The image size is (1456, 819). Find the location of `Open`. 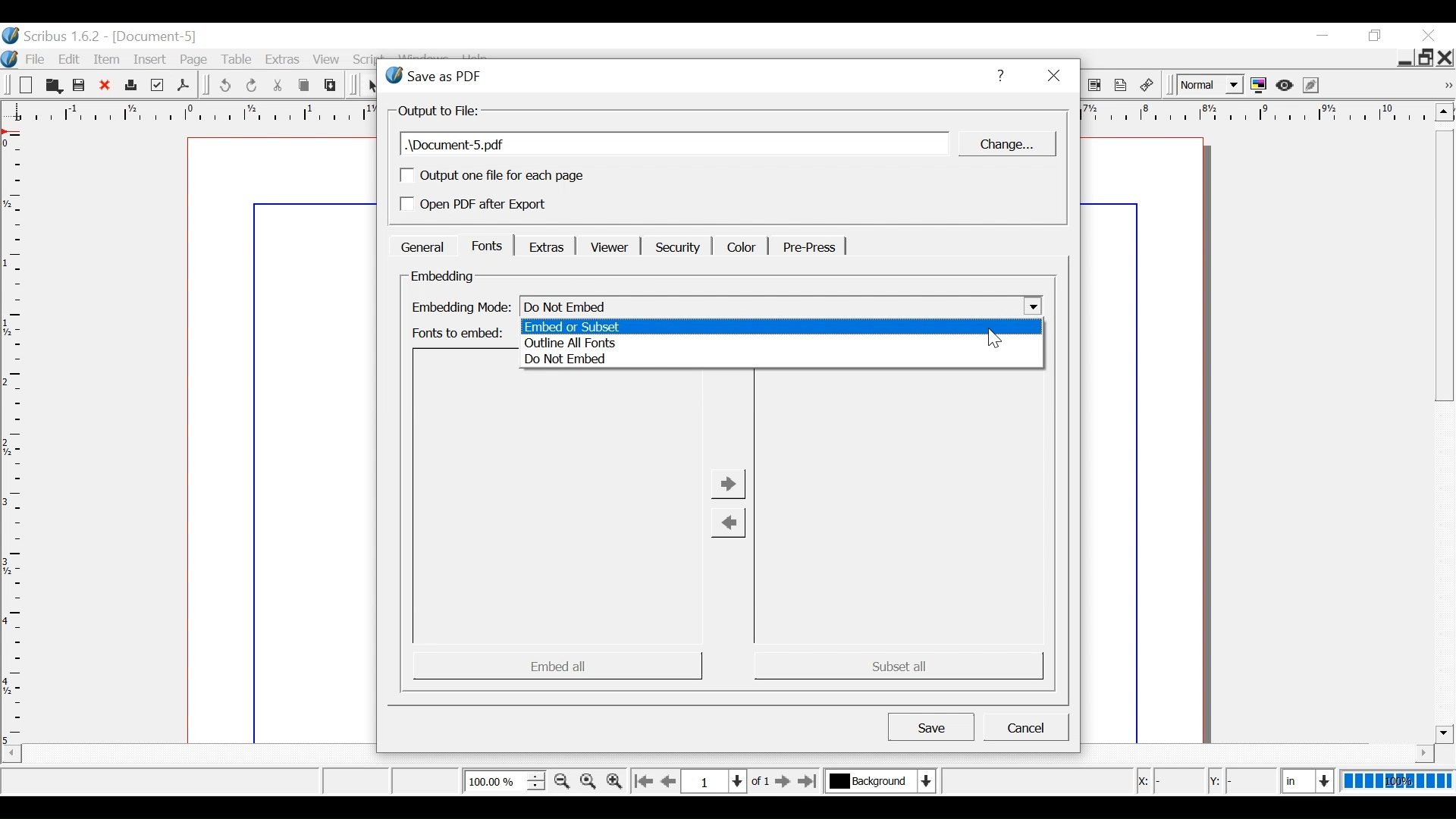

Open is located at coordinates (52, 86).